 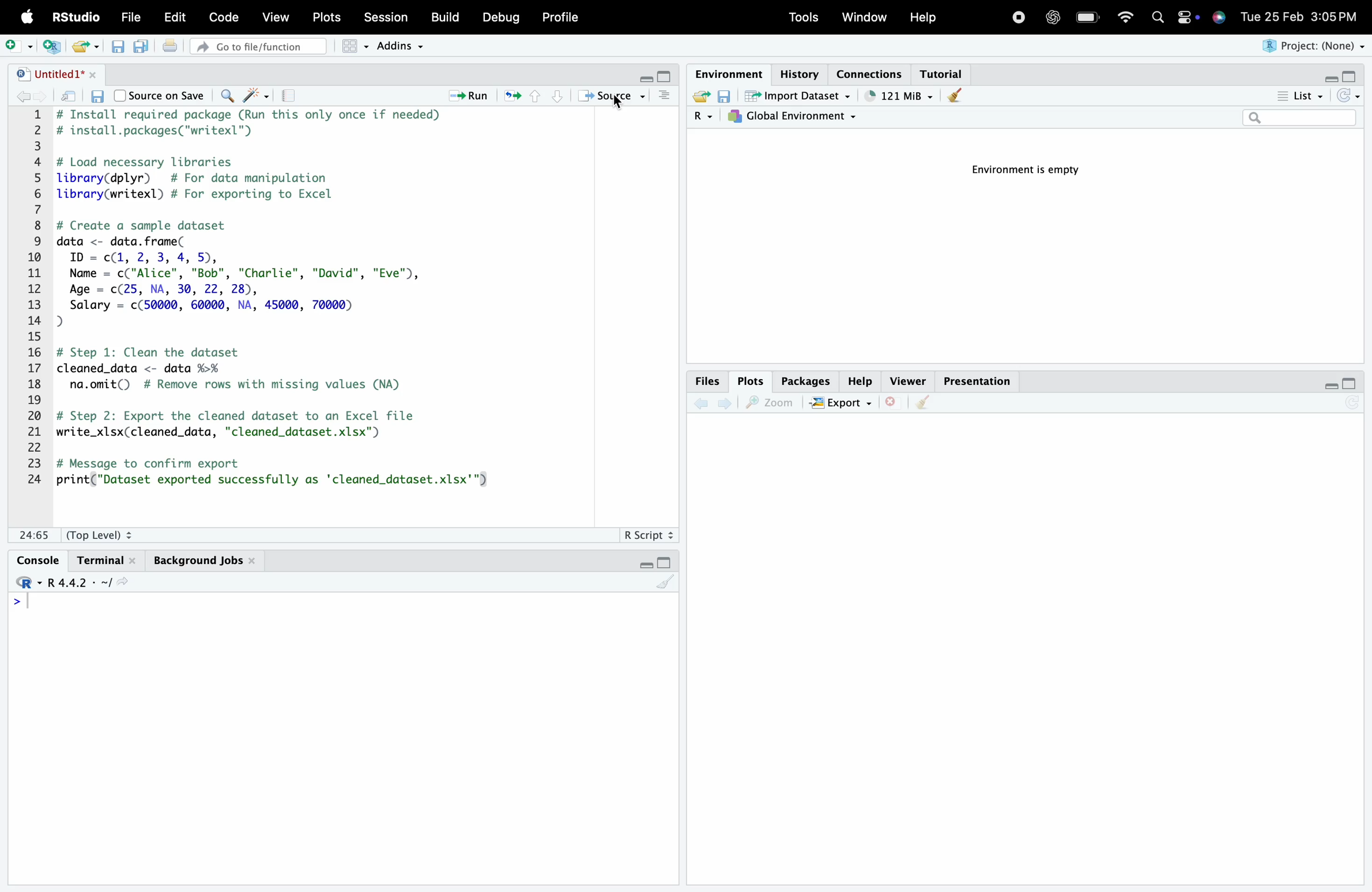 I want to click on Environment is empty, so click(x=1021, y=174).